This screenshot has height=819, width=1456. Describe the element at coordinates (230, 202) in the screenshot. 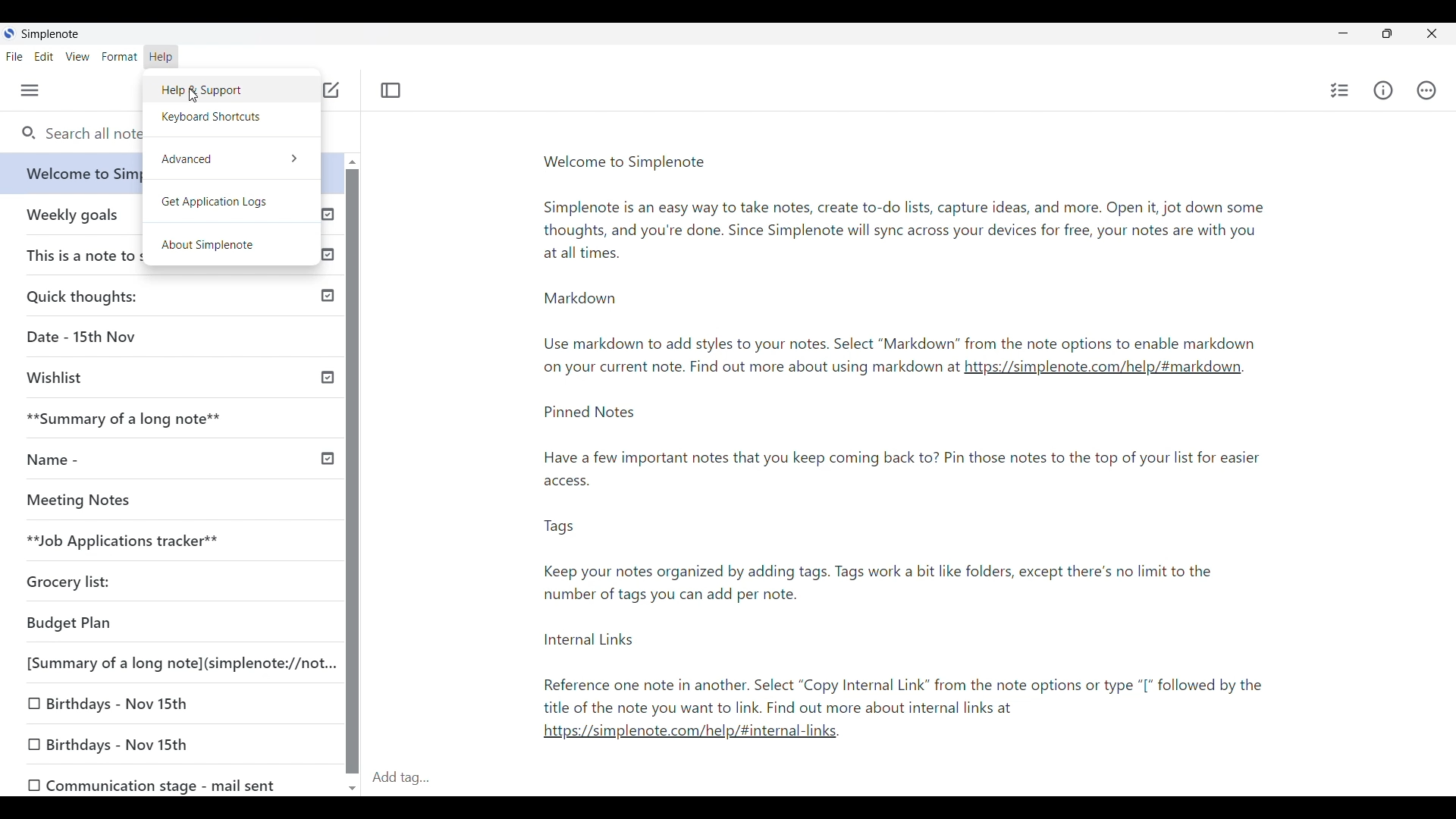

I see `Get application logs` at that location.